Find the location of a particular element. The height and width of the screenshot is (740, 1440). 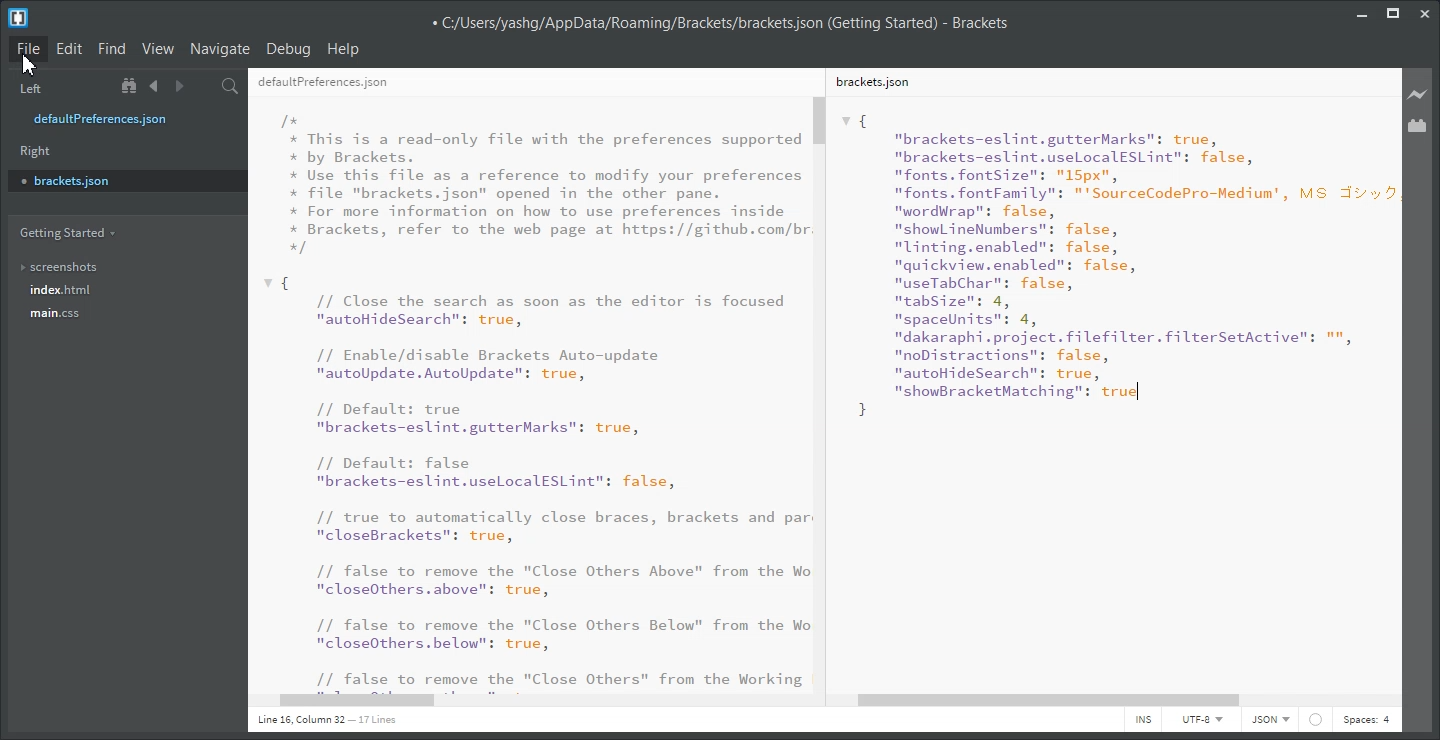

cursor is located at coordinates (35, 65).